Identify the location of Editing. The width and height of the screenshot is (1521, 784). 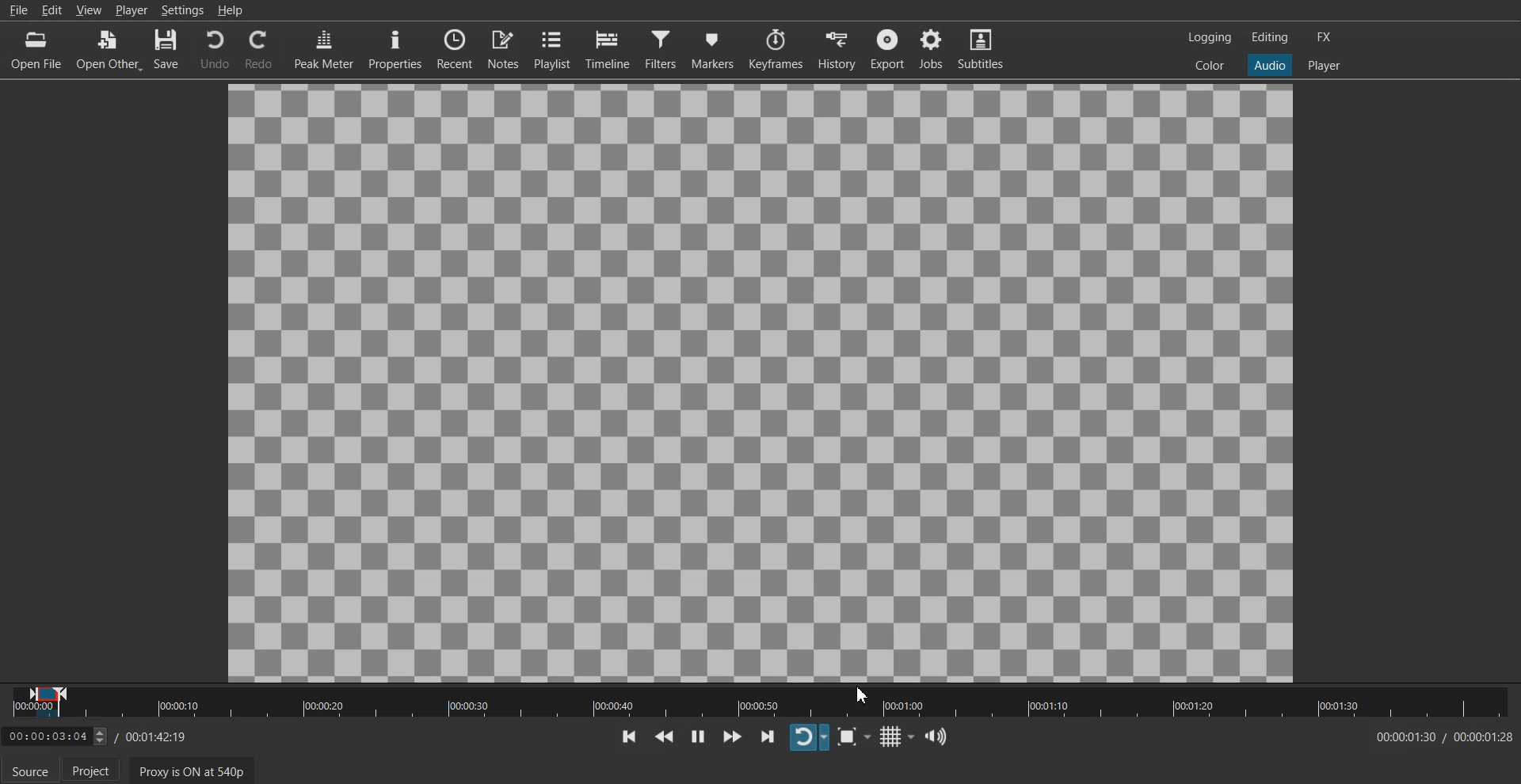
(1270, 37).